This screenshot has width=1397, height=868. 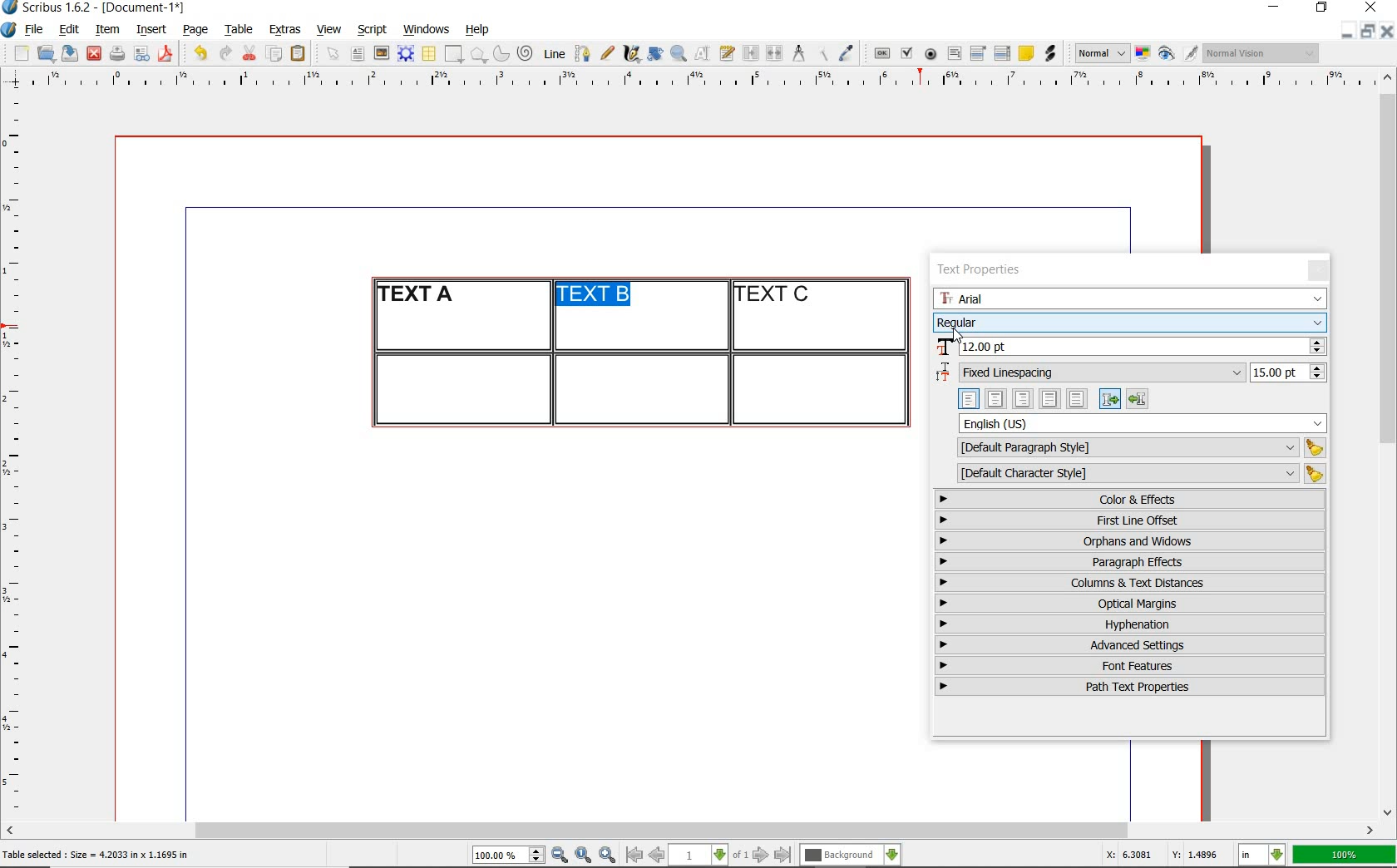 What do you see at coordinates (798, 54) in the screenshot?
I see `measurements` at bounding box center [798, 54].